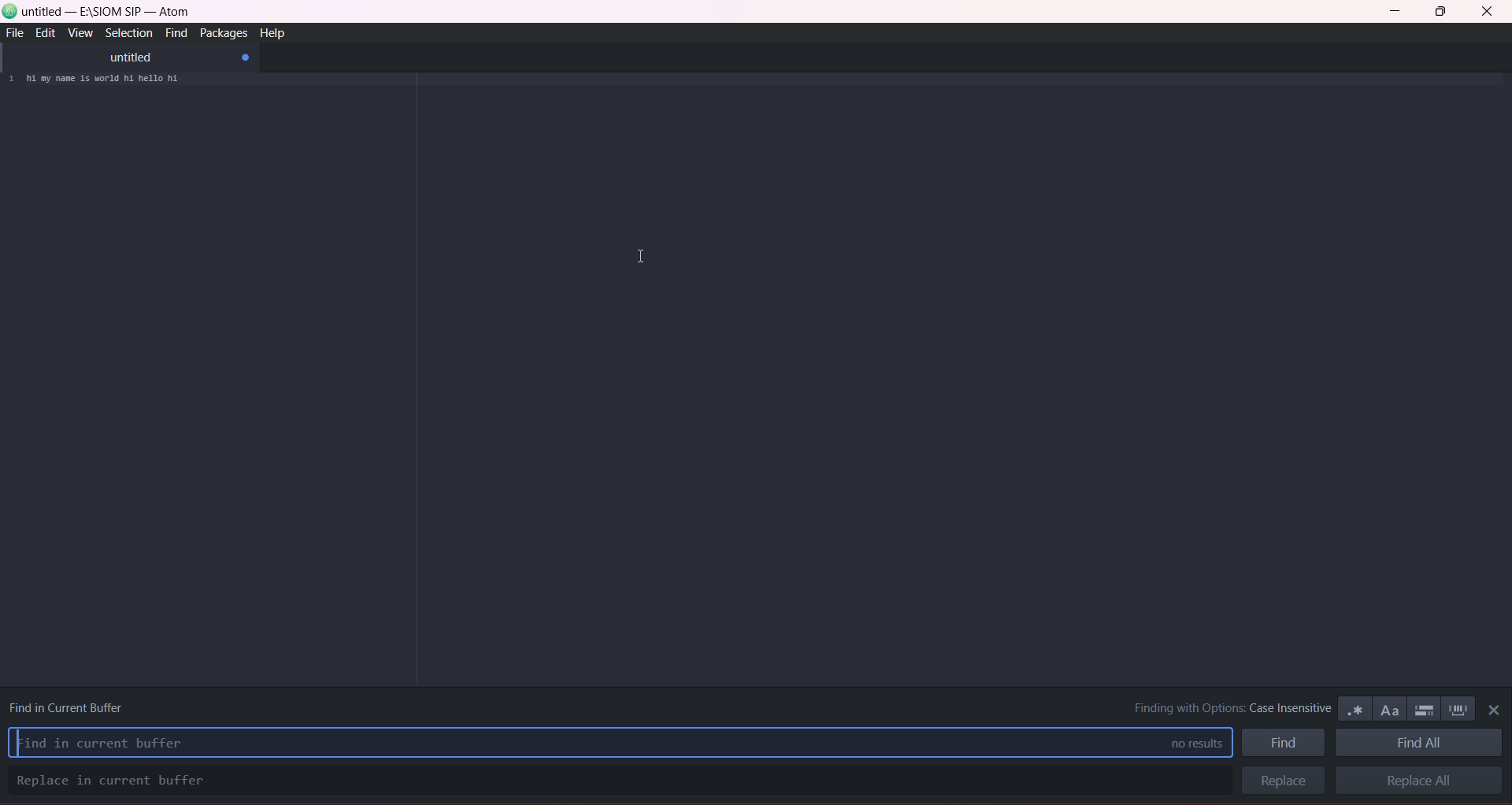  I want to click on replace type area, so click(615, 781).